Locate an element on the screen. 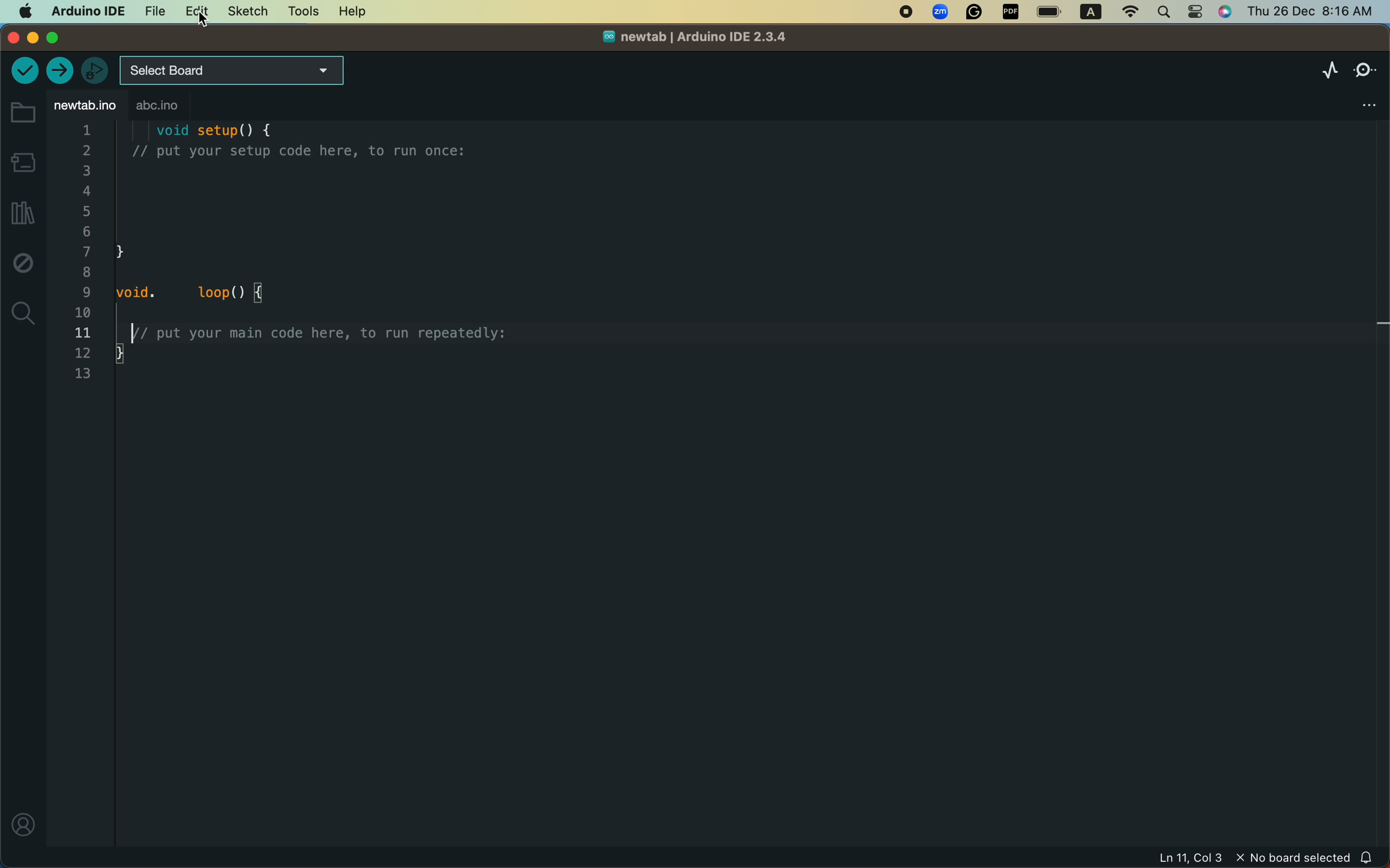  file setting is located at coordinates (1354, 101).